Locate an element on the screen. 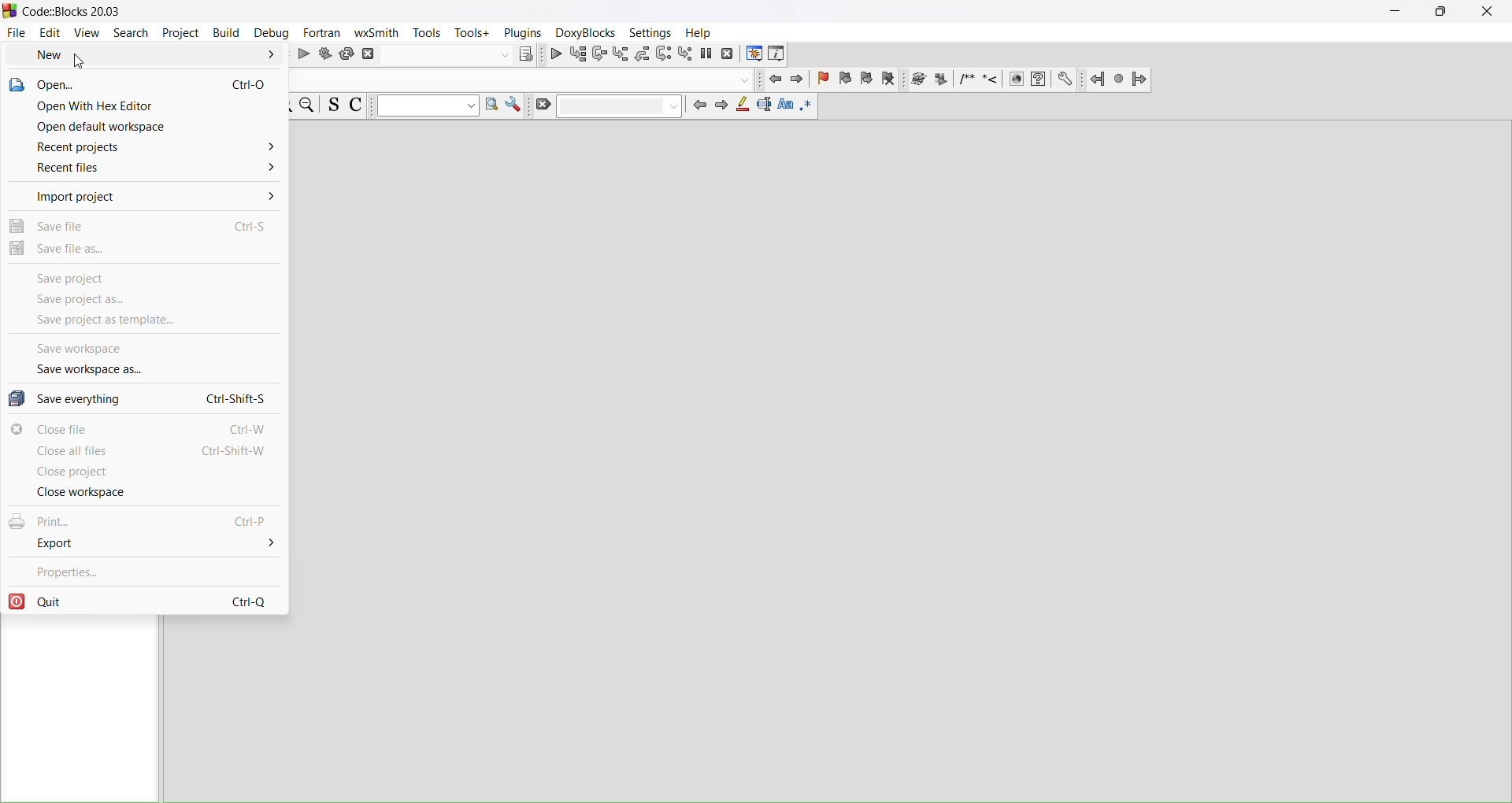 Image resolution: width=1512 pixels, height=803 pixels. export is located at coordinates (146, 543).